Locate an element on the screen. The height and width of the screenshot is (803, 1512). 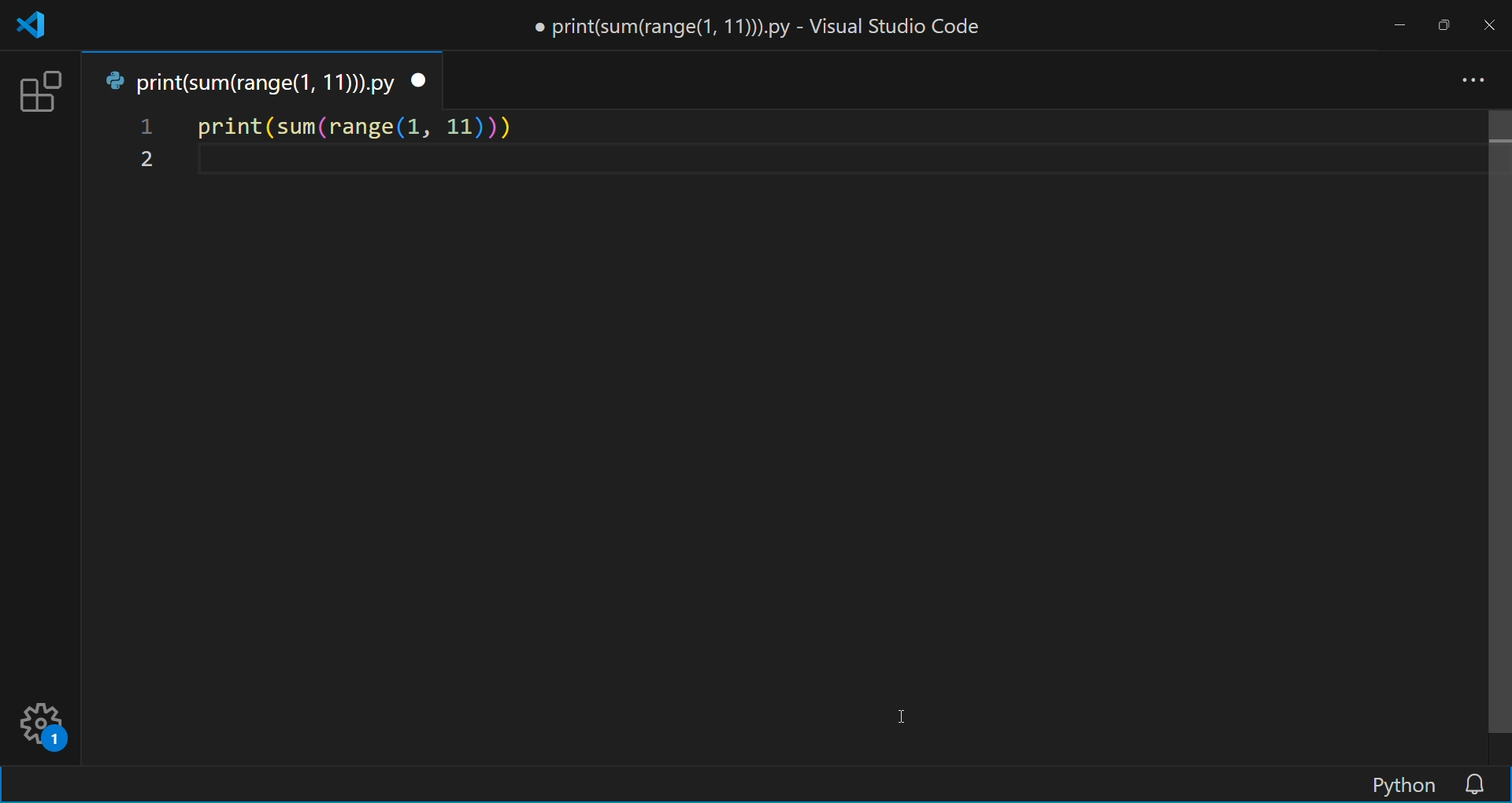
line number is located at coordinates (144, 141).